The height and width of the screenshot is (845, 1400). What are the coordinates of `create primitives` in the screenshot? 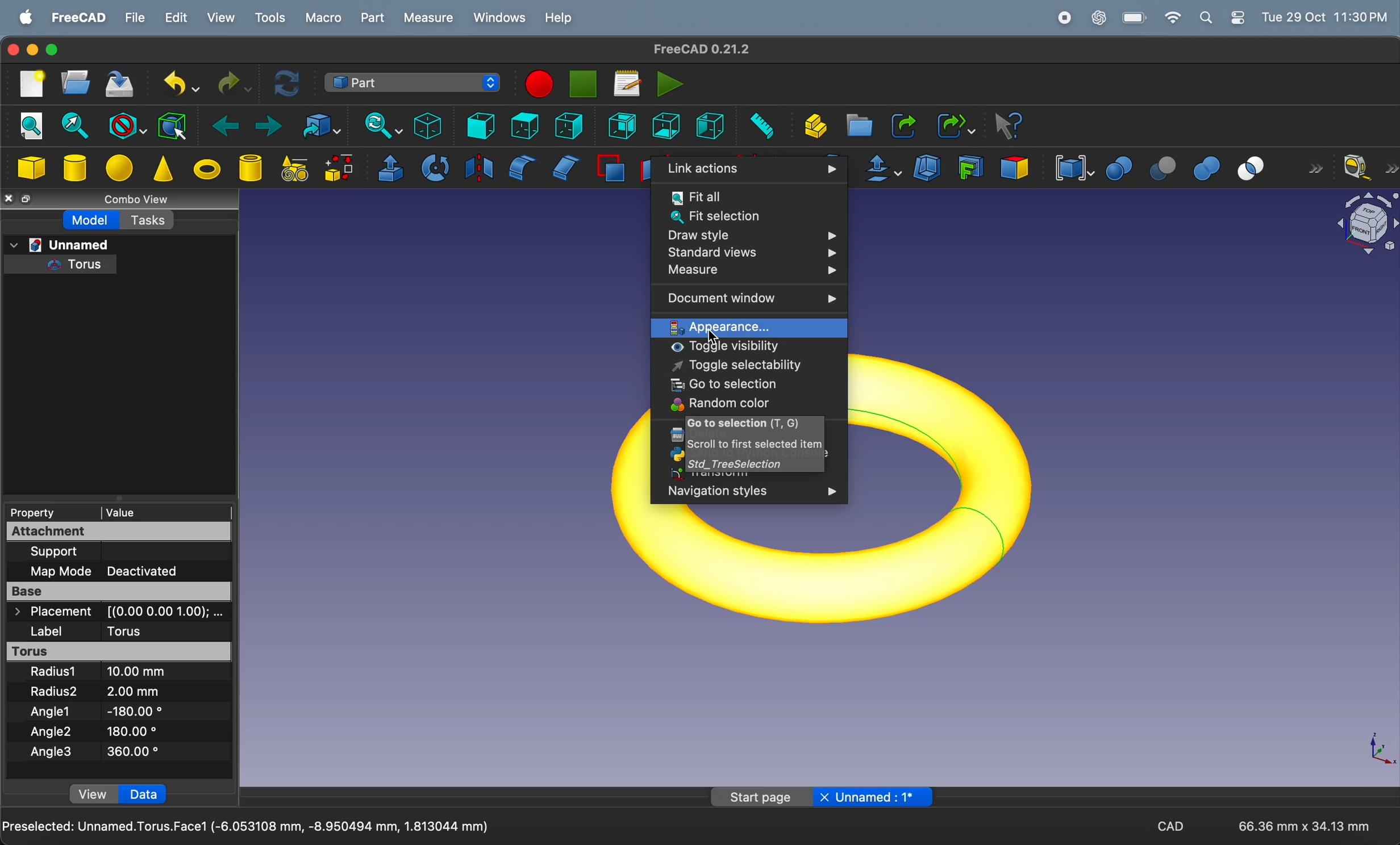 It's located at (295, 169).